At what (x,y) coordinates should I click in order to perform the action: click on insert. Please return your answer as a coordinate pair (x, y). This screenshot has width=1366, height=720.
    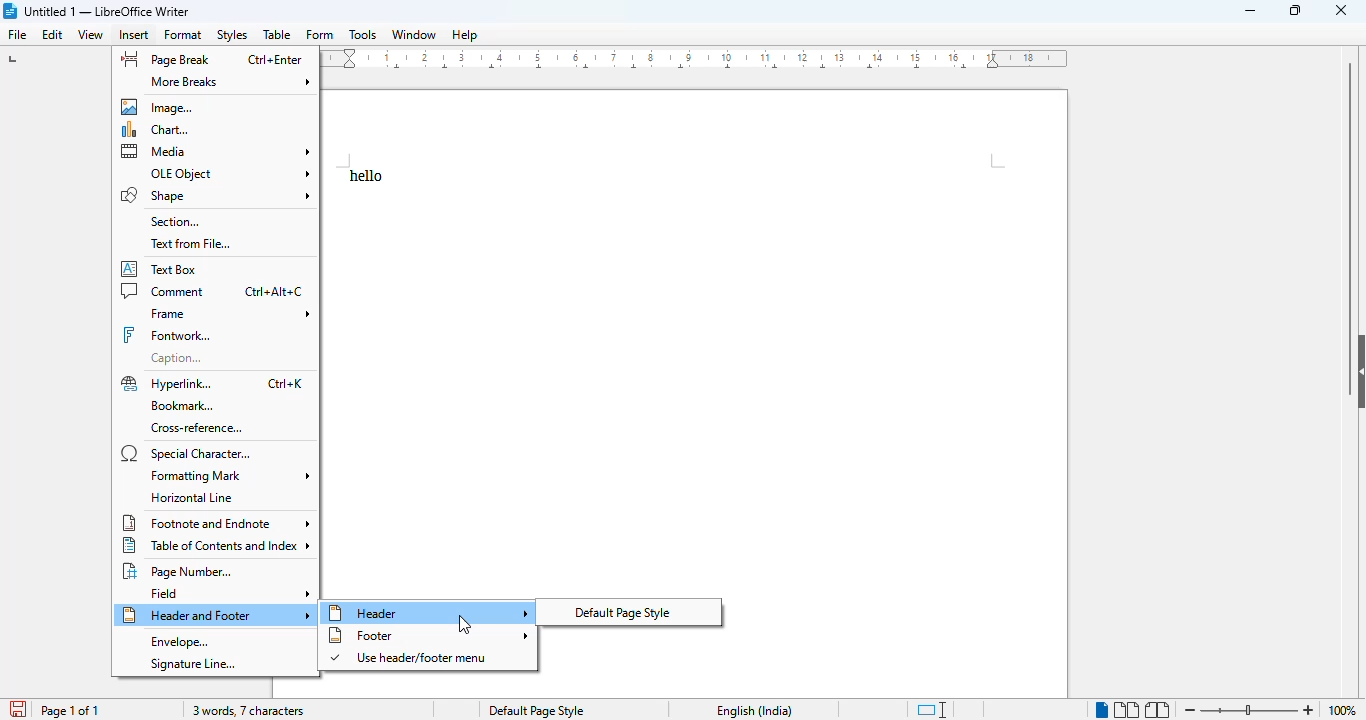
    Looking at the image, I should click on (133, 34).